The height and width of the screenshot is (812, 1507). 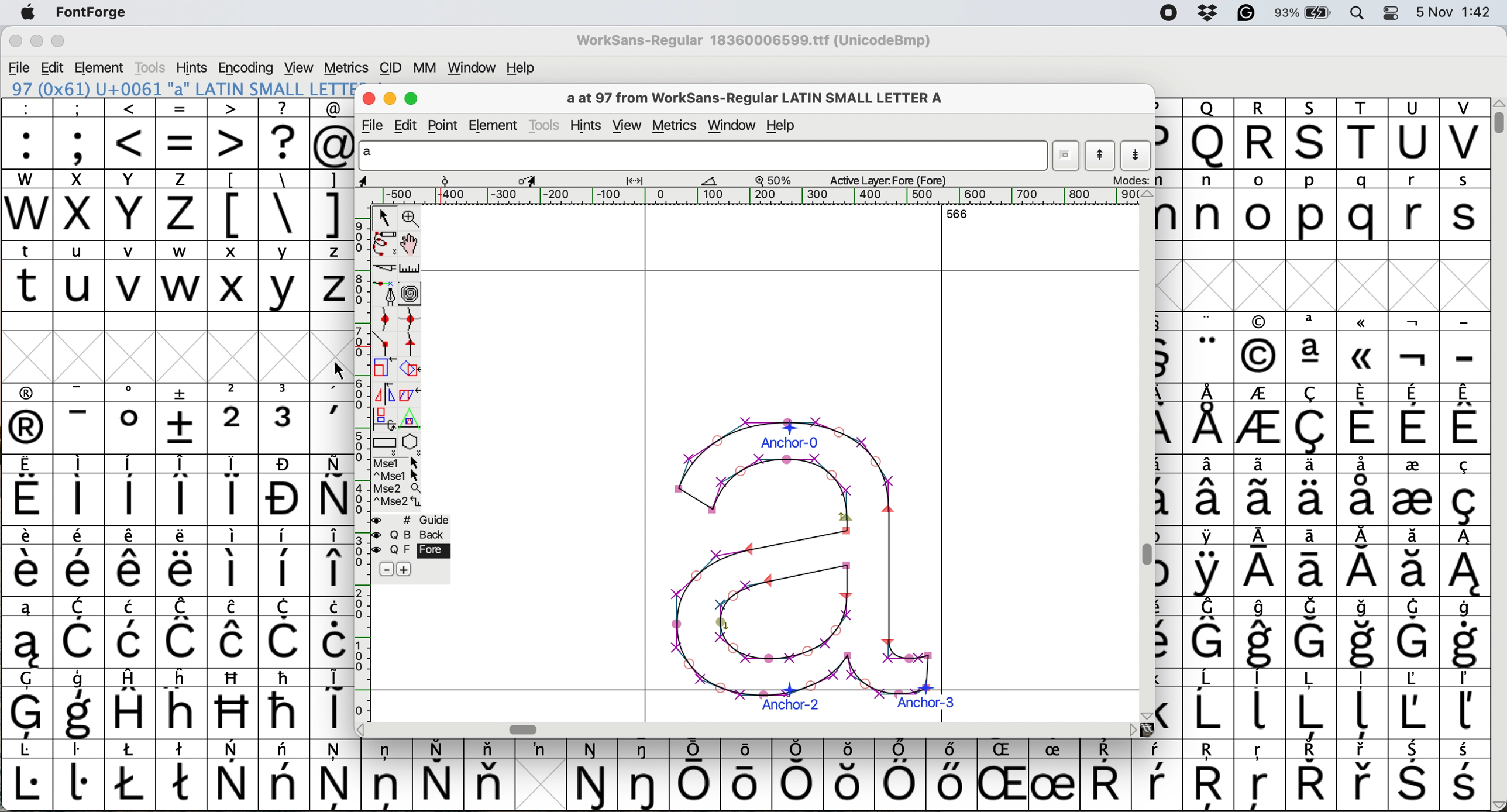 What do you see at coordinates (391, 98) in the screenshot?
I see `minimise` at bounding box center [391, 98].